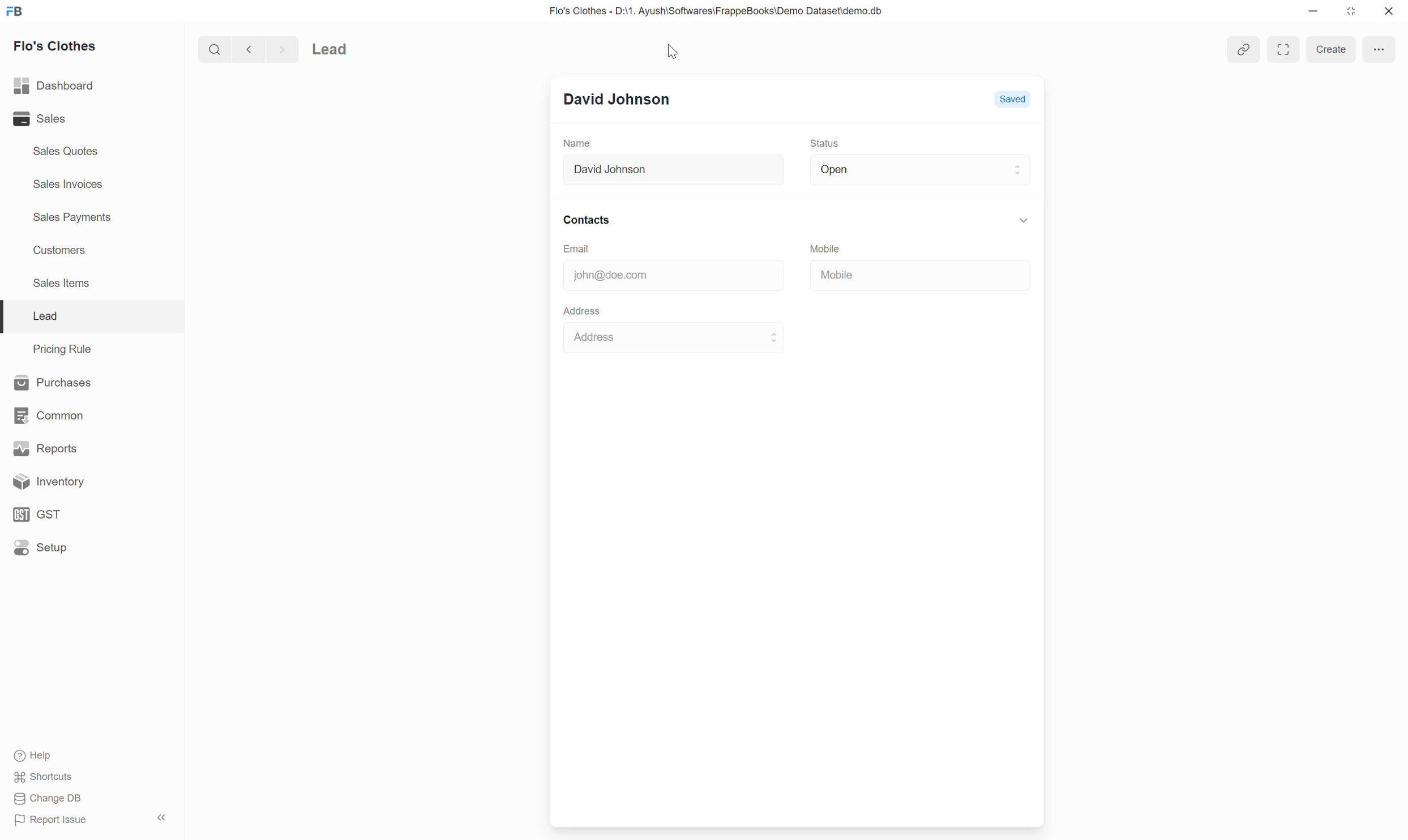  What do you see at coordinates (670, 339) in the screenshot?
I see `Address ` at bounding box center [670, 339].